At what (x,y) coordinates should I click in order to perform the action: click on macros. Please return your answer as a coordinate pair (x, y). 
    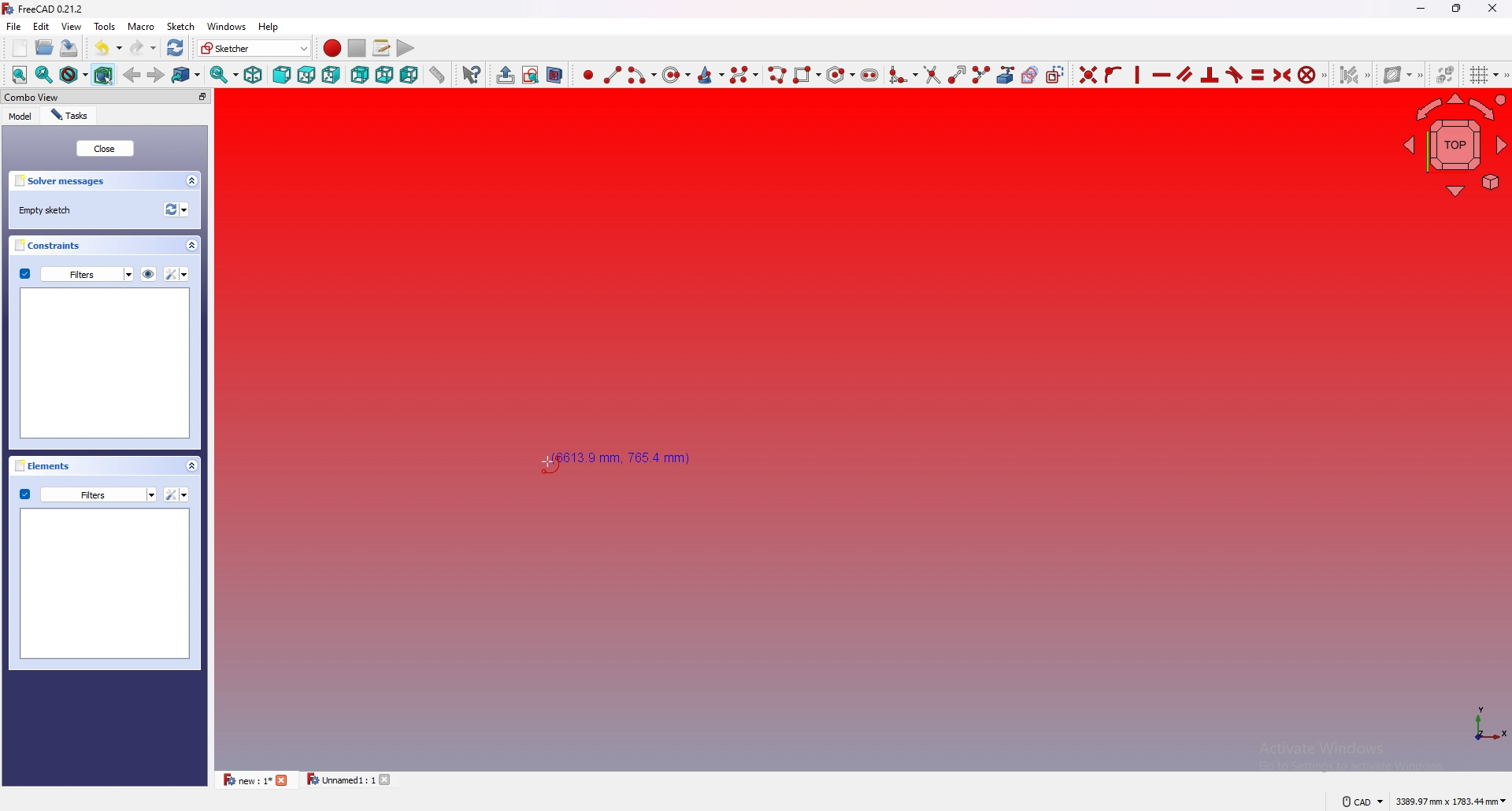
    Looking at the image, I should click on (381, 48).